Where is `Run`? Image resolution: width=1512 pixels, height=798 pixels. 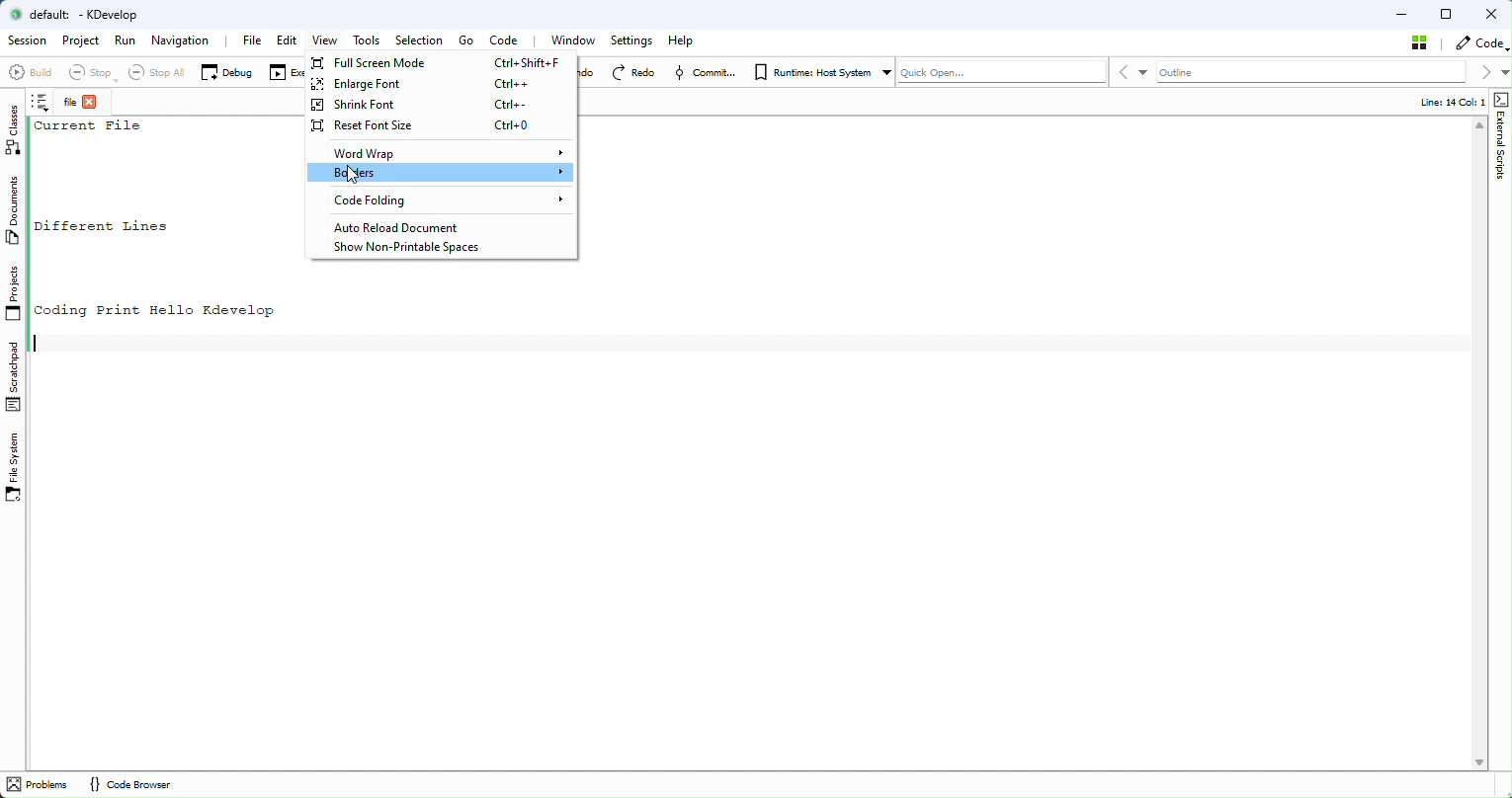 Run is located at coordinates (126, 41).